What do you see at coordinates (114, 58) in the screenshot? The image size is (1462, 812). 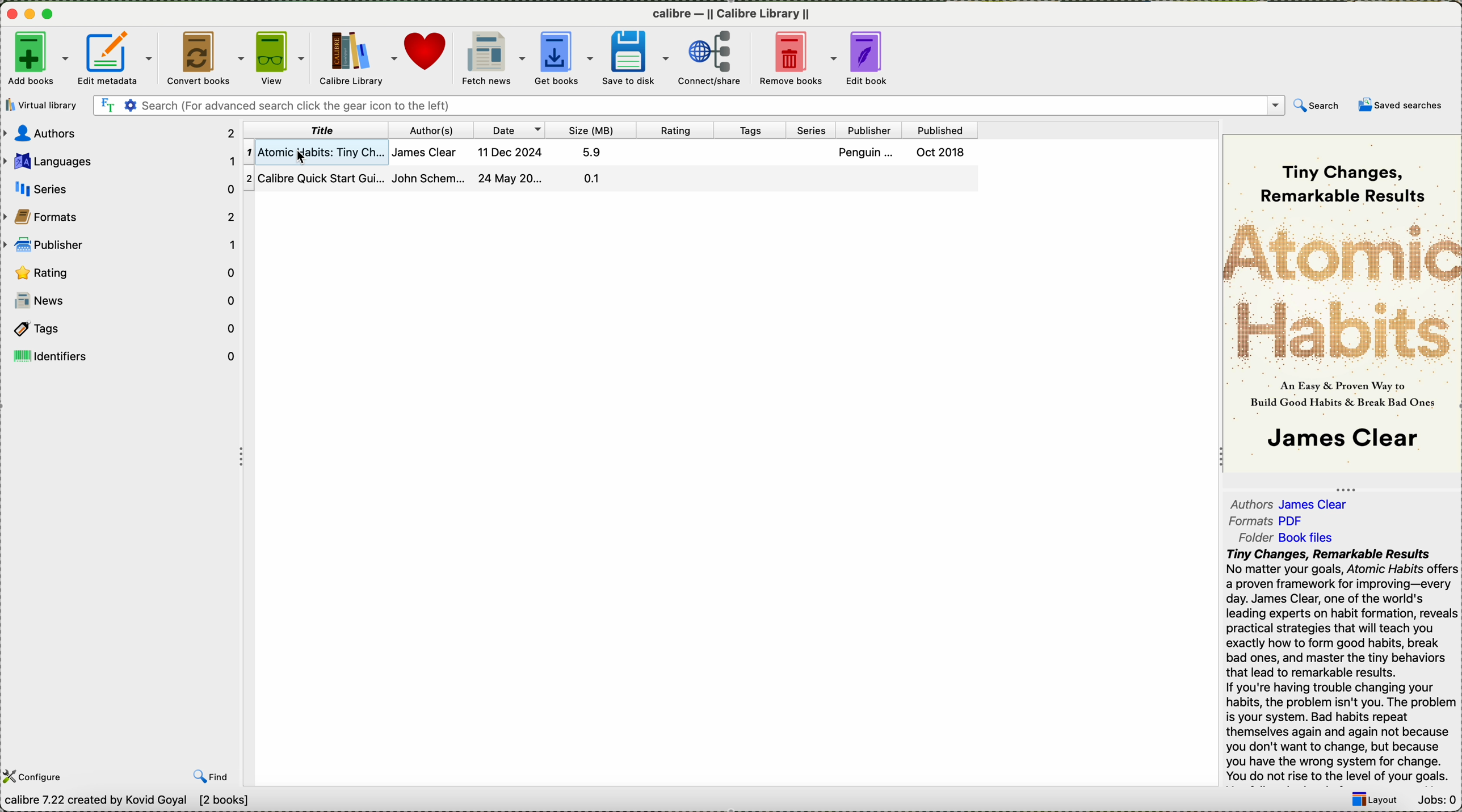 I see `edit metadata` at bounding box center [114, 58].